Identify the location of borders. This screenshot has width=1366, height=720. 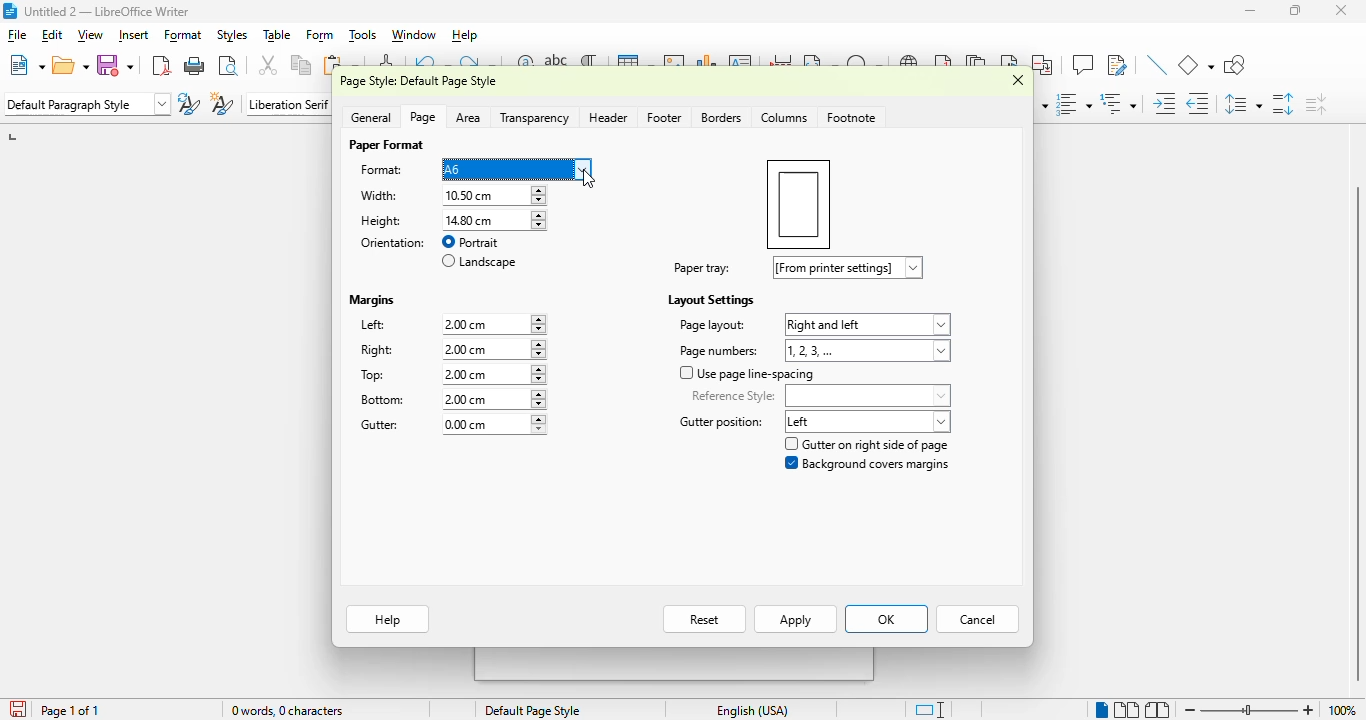
(720, 117).